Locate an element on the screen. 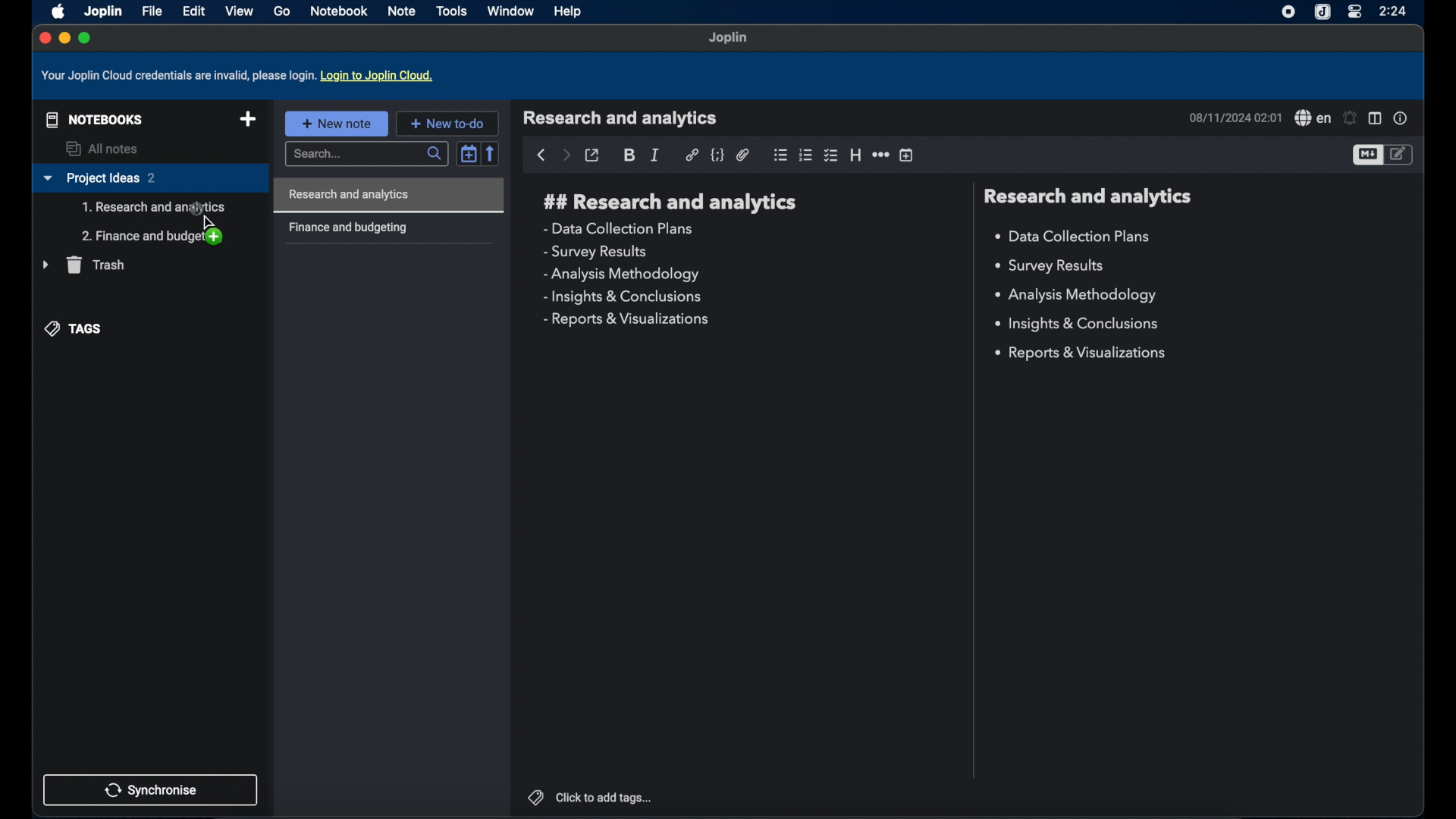  Joplin is located at coordinates (102, 11).